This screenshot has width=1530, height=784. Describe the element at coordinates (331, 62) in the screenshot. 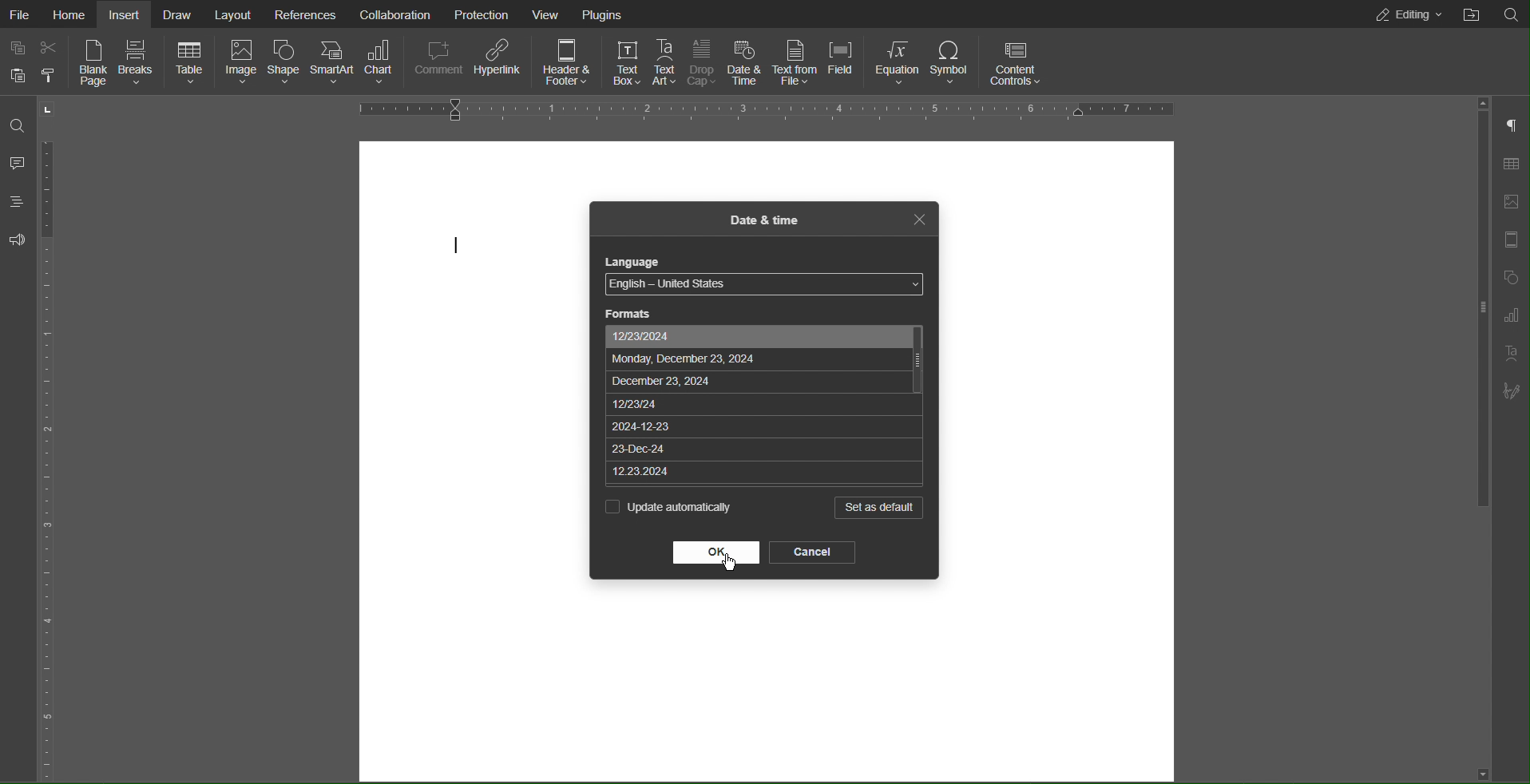

I see `SmartArt` at that location.